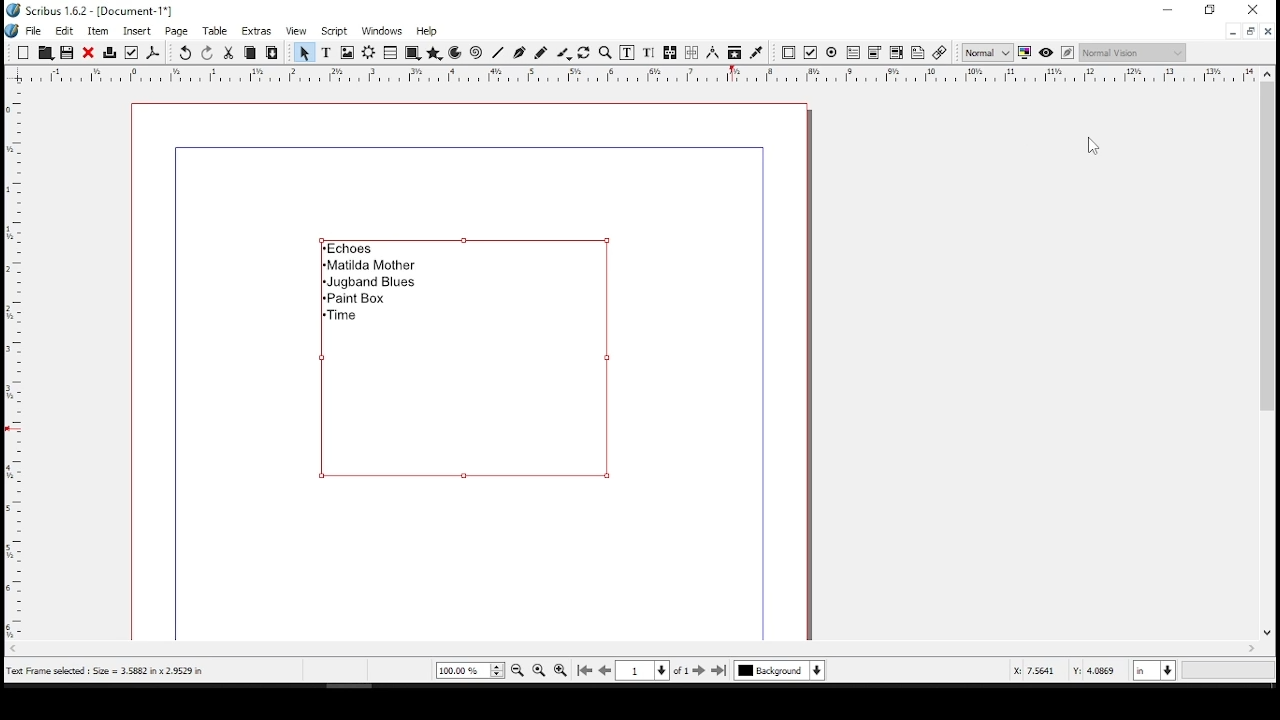  I want to click on shape, so click(411, 52).